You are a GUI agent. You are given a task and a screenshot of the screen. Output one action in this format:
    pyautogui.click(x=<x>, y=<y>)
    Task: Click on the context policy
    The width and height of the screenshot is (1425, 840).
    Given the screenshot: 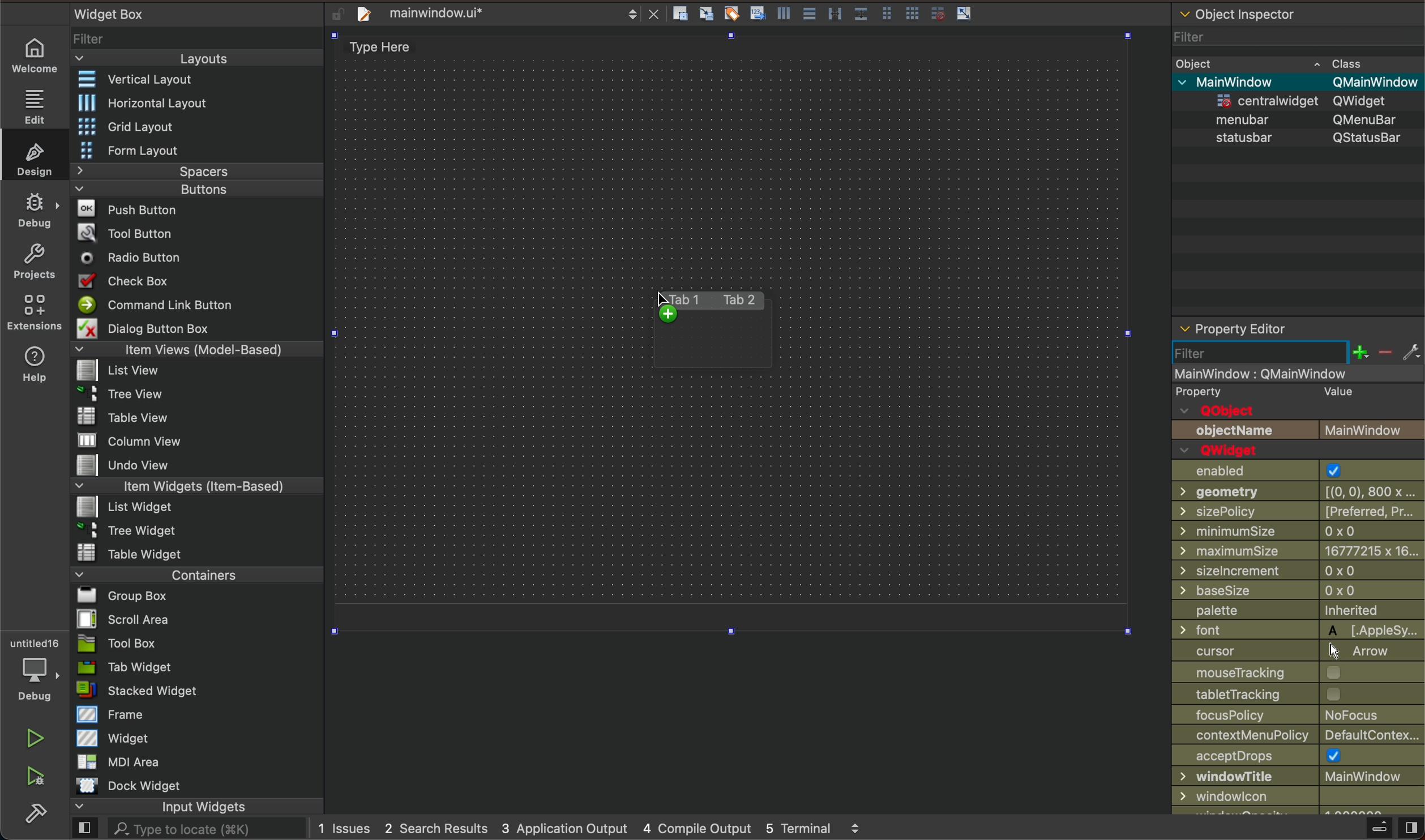 What is the action you would take?
    pyautogui.click(x=1298, y=735)
    